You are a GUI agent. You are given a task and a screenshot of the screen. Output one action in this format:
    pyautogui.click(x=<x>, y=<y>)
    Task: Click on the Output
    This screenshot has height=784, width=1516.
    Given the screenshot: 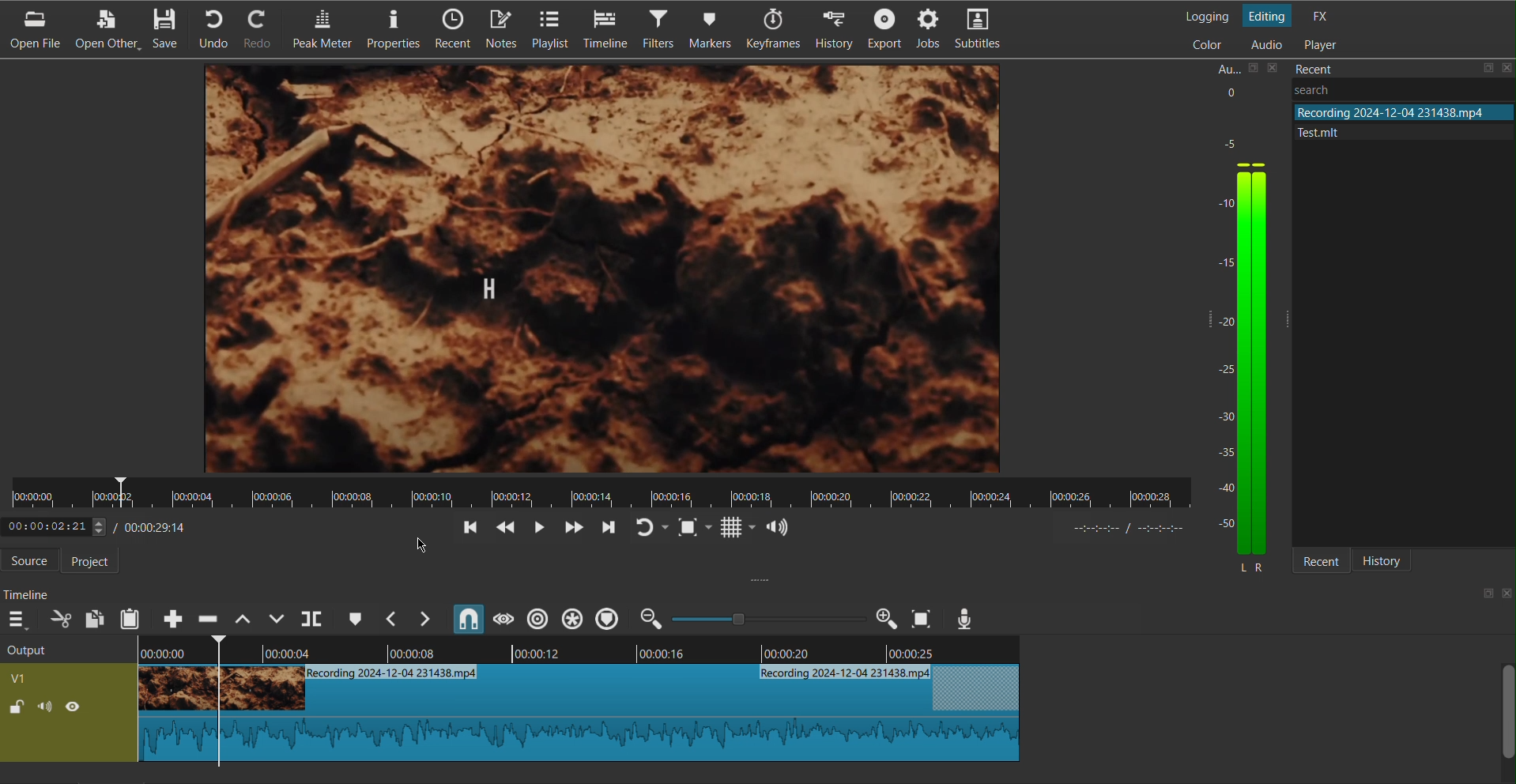 What is the action you would take?
    pyautogui.click(x=47, y=651)
    